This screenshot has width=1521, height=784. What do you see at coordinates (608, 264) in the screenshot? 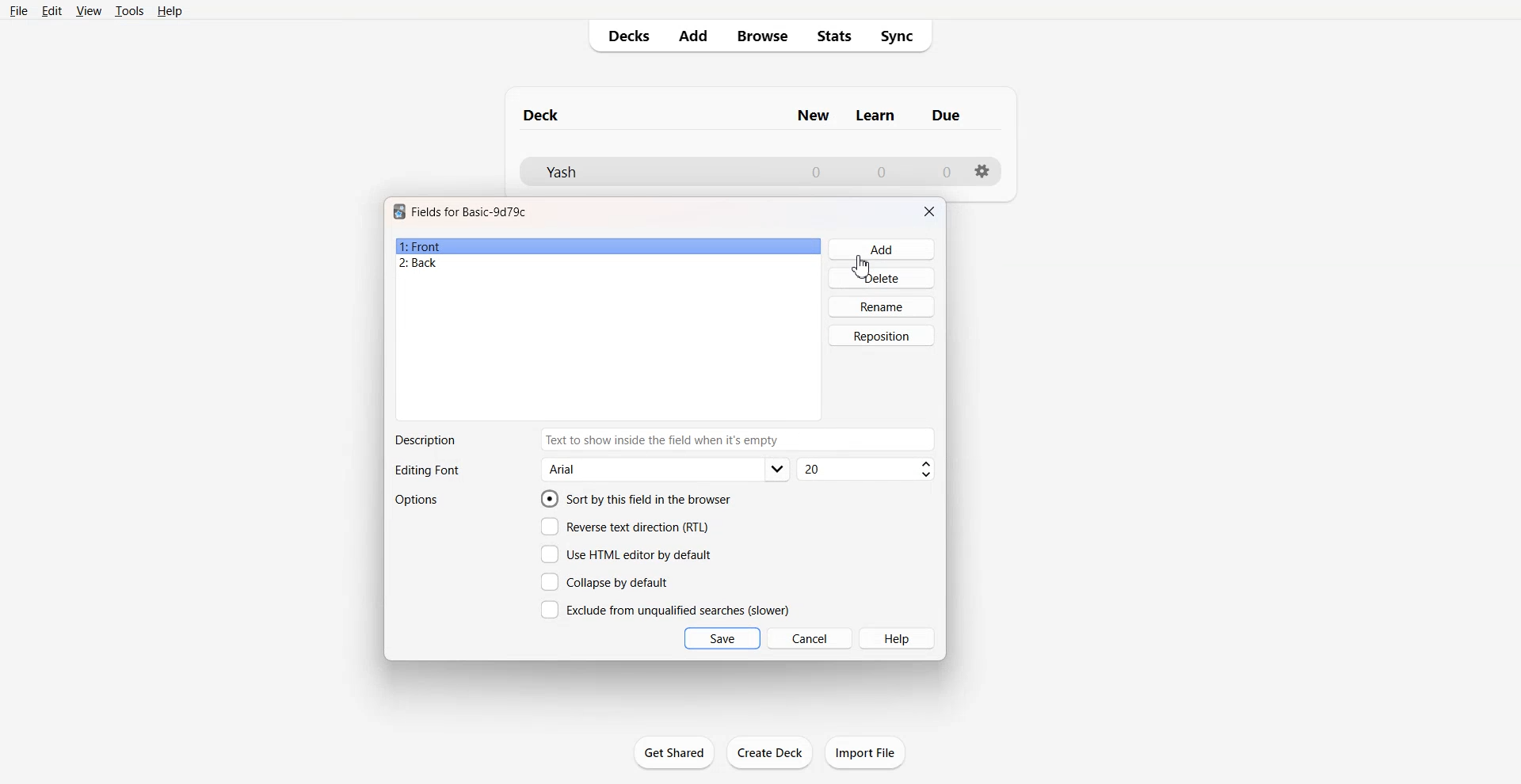
I see `Back` at bounding box center [608, 264].